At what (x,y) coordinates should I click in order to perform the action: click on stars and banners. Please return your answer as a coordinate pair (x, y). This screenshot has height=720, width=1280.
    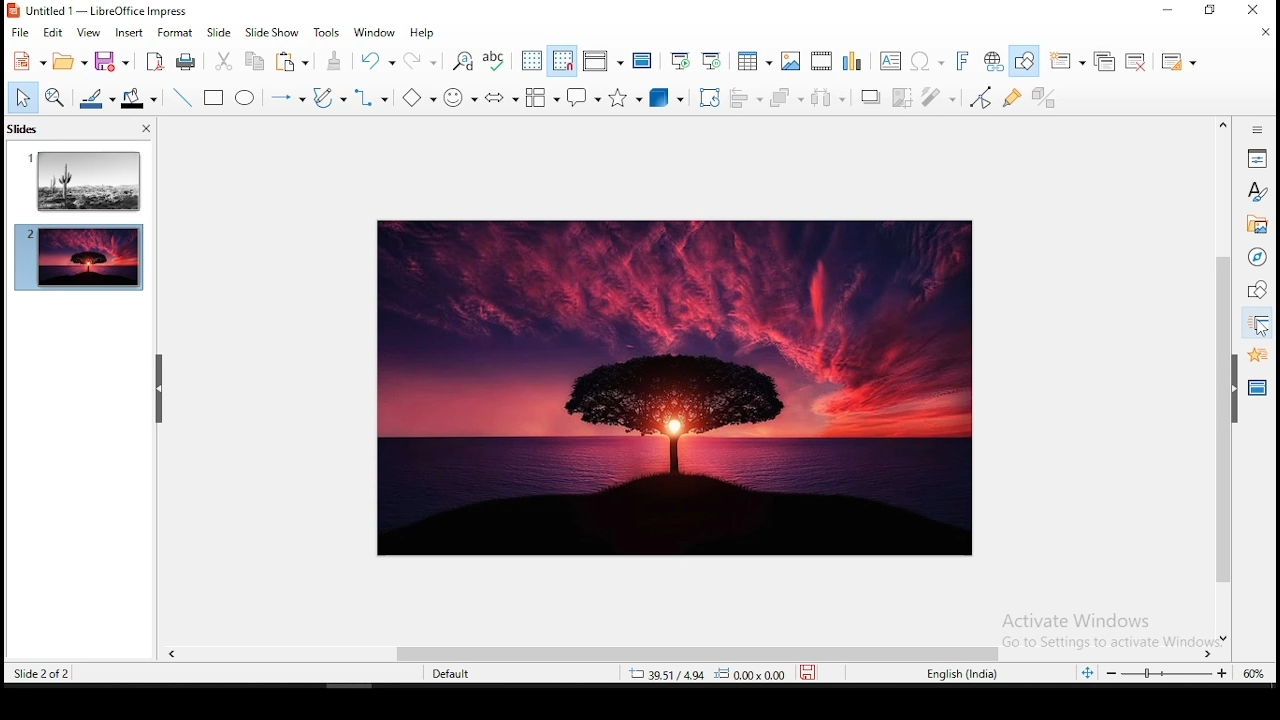
    Looking at the image, I should click on (623, 98).